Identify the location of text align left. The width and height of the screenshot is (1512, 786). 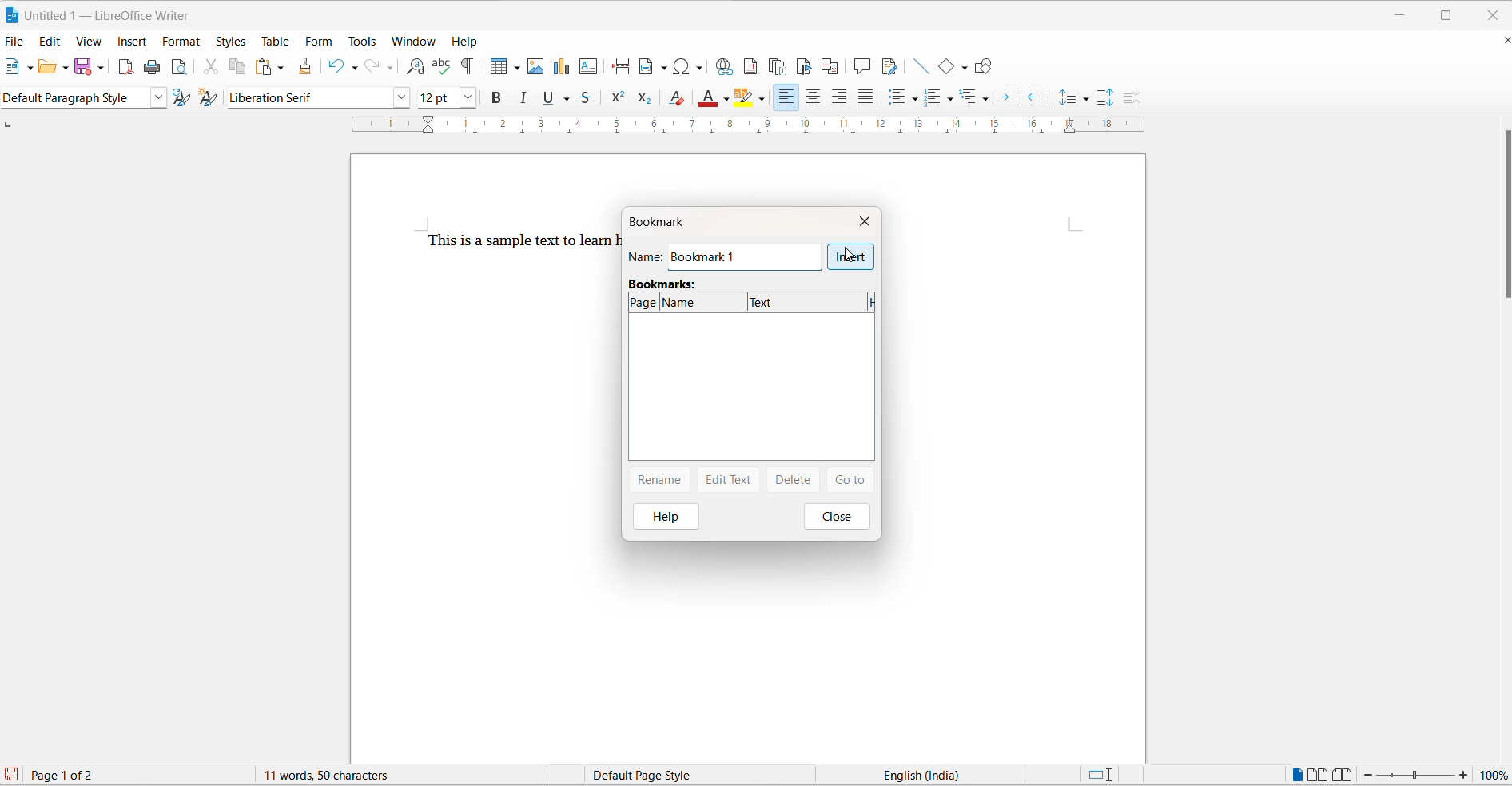
(786, 97).